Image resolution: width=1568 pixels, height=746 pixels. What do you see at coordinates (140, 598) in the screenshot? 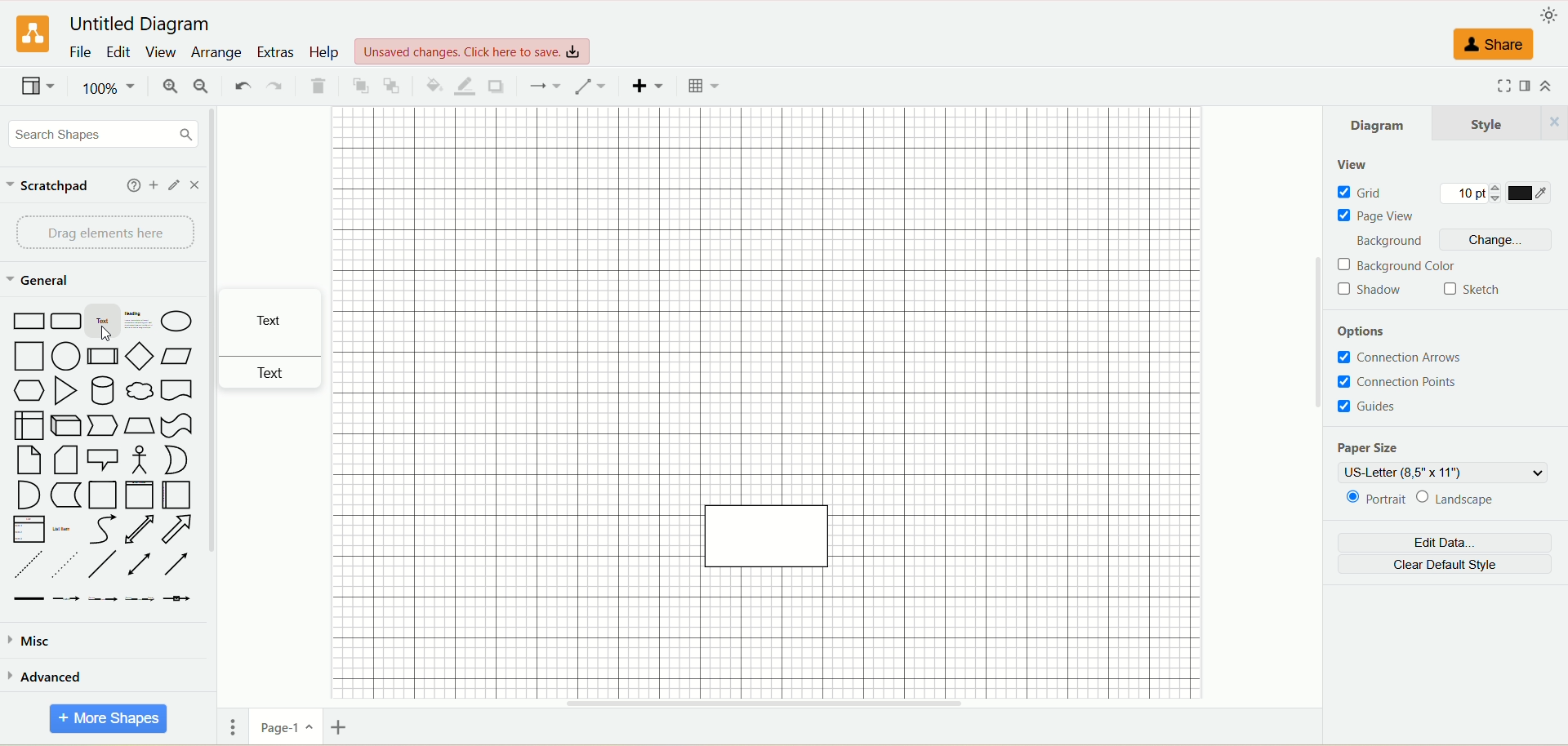
I see `connector 4` at bounding box center [140, 598].